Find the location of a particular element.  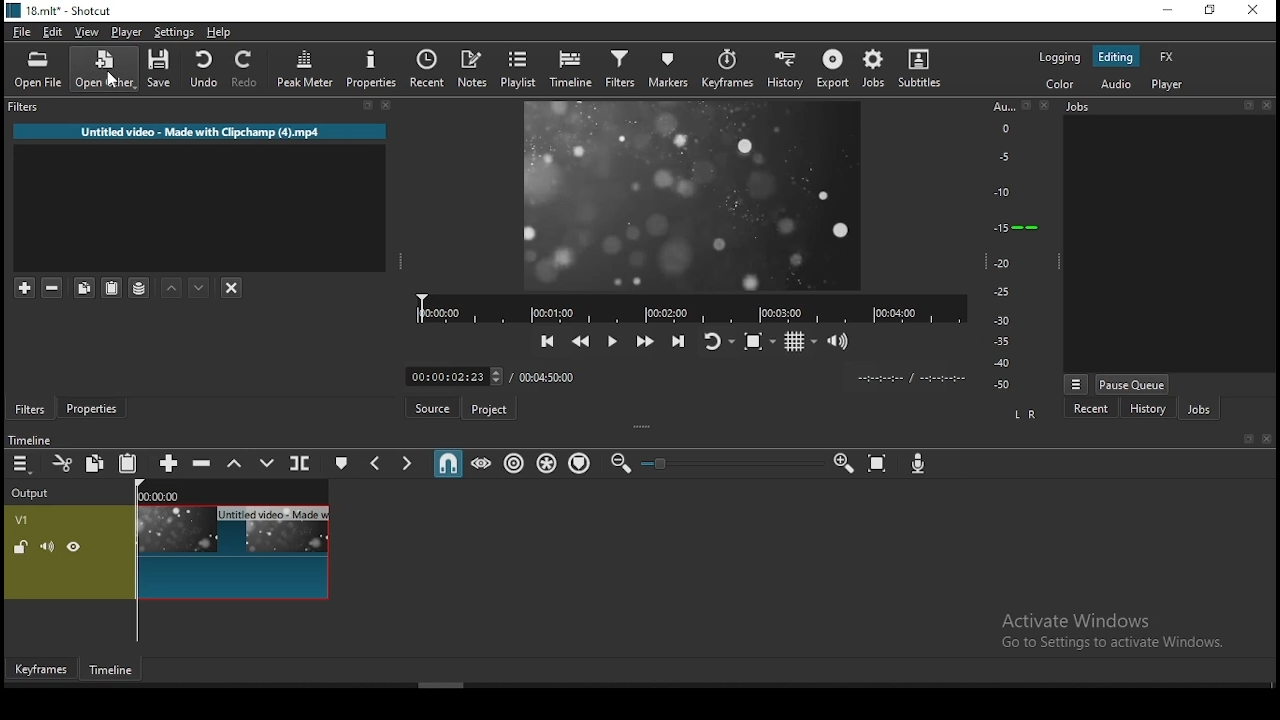

filters is located at coordinates (32, 407).